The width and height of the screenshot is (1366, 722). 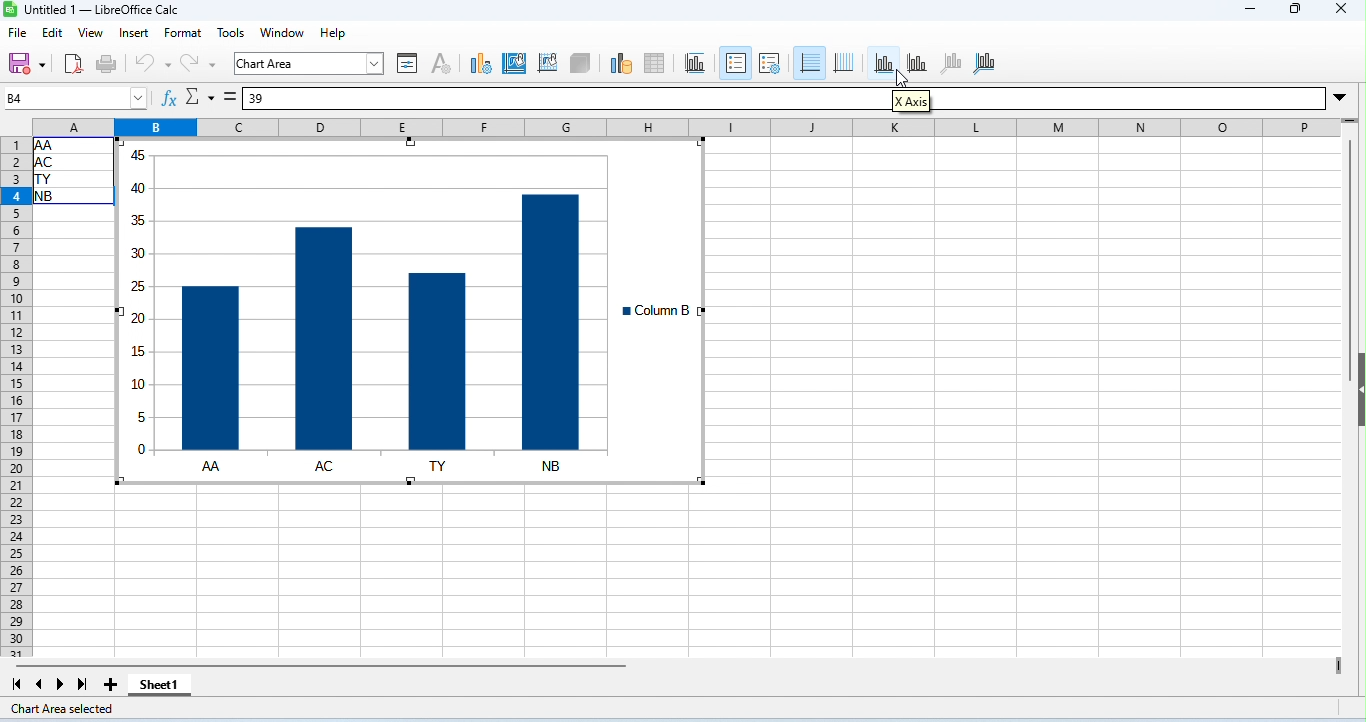 I want to click on chart wall, so click(x=547, y=62).